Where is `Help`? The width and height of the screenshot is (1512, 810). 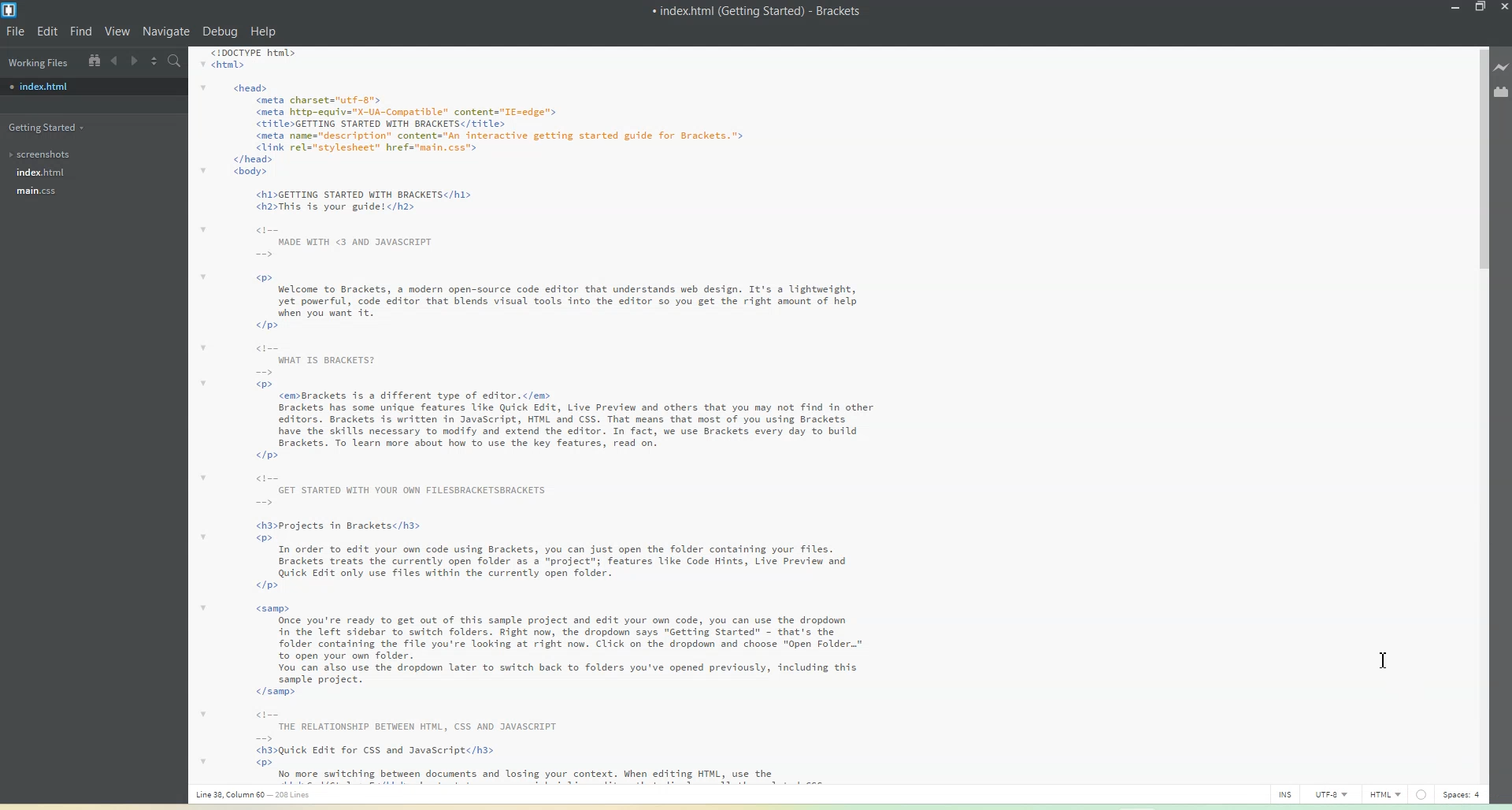
Help is located at coordinates (264, 32).